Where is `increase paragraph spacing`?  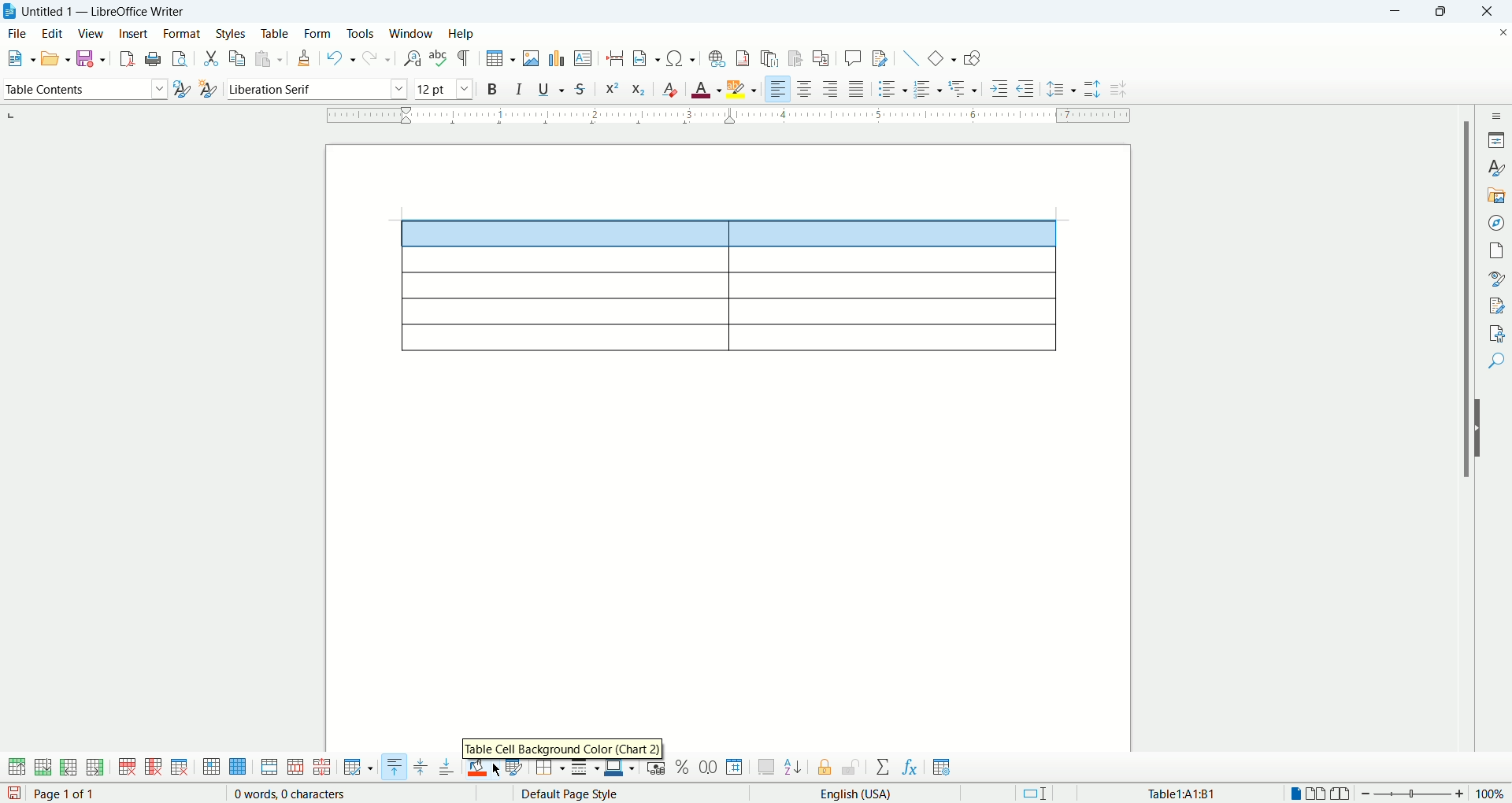 increase paragraph spacing is located at coordinates (1091, 89).